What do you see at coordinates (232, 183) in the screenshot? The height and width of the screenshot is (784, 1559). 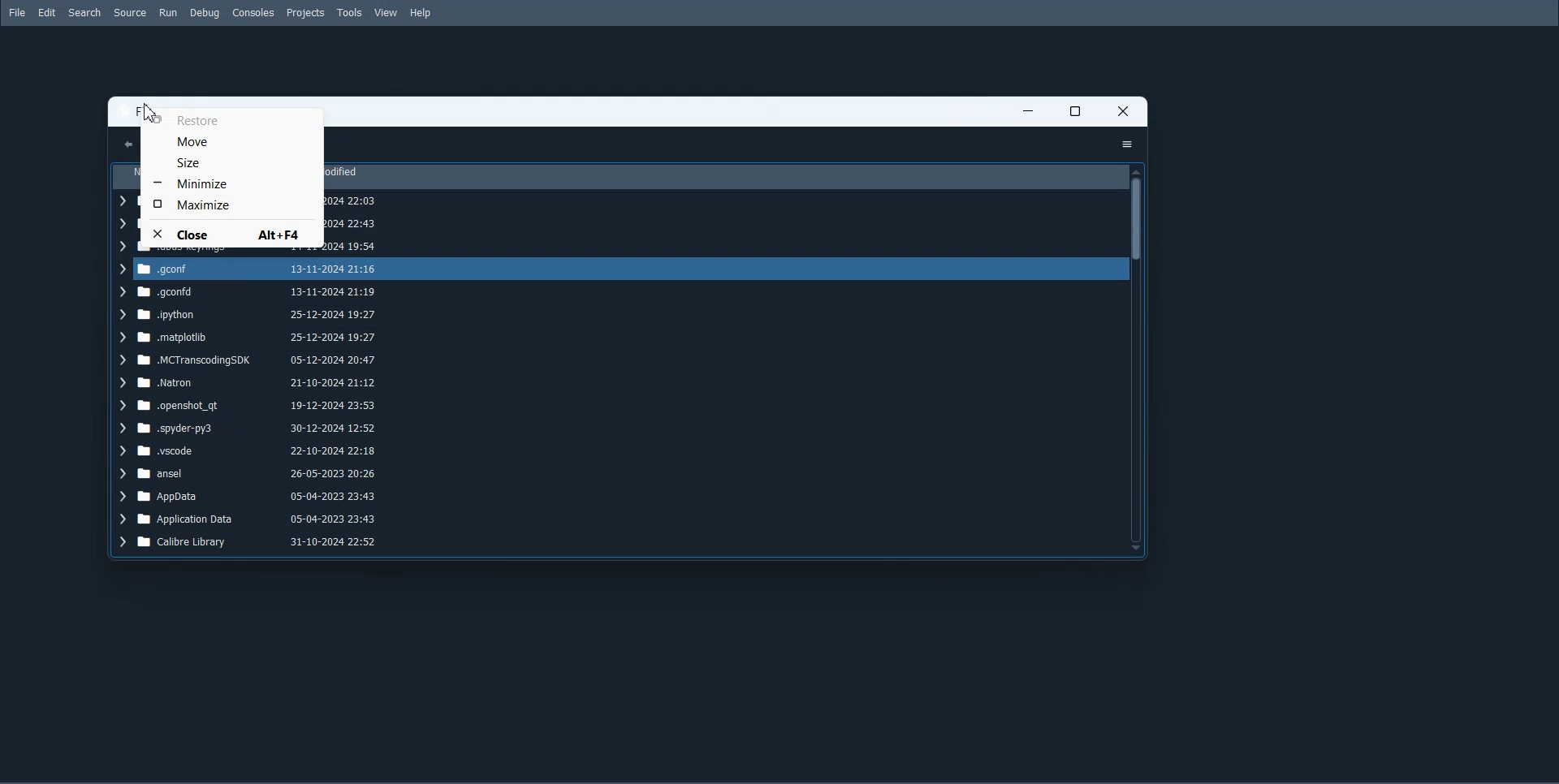 I see `Minimize` at bounding box center [232, 183].